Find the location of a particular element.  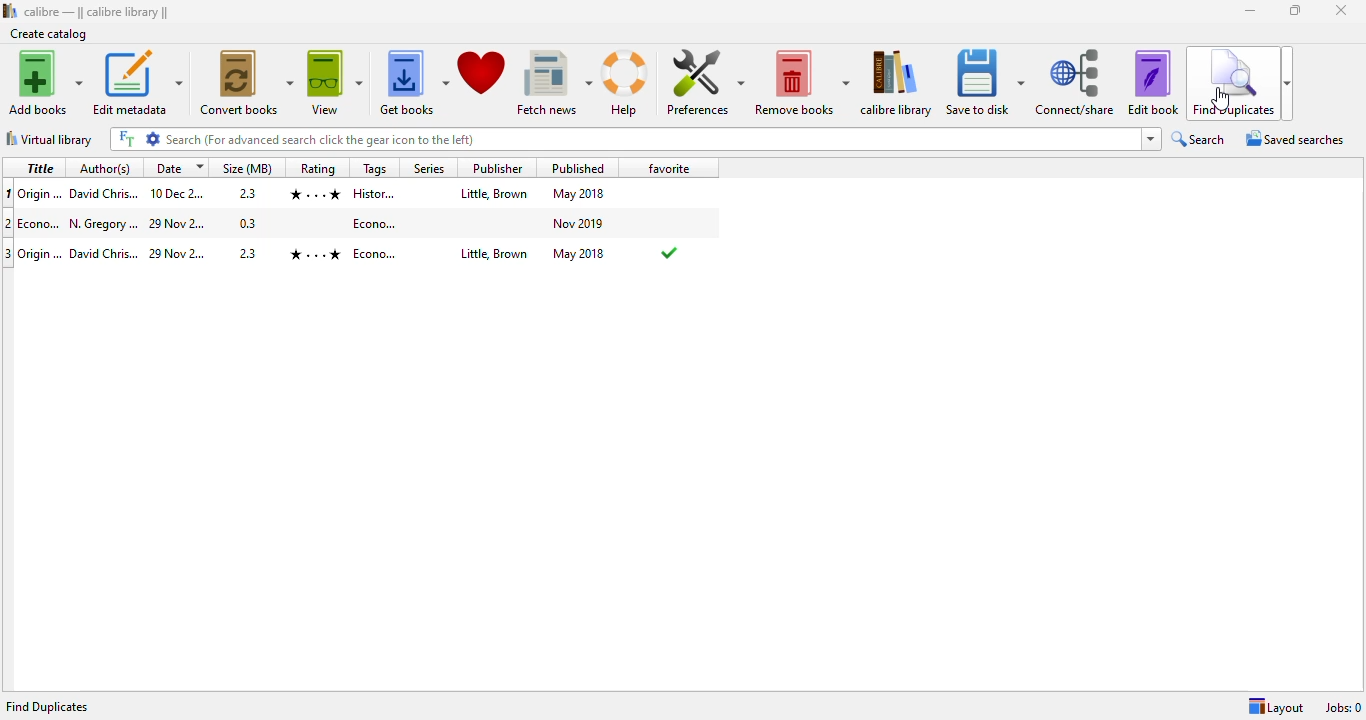

author(s) is located at coordinates (105, 168).